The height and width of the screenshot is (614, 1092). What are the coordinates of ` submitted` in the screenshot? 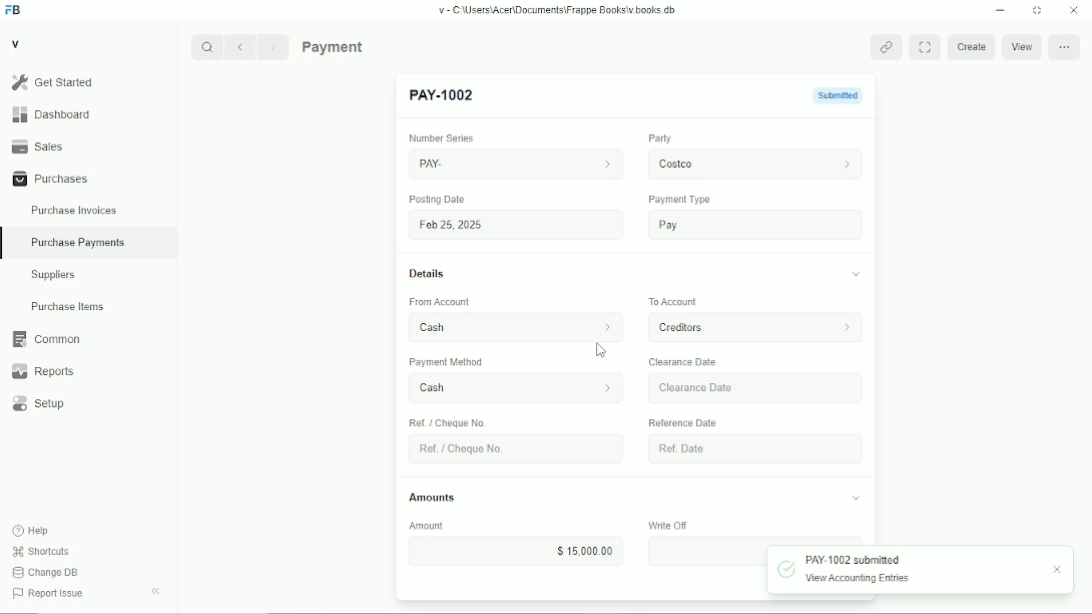 It's located at (828, 96).